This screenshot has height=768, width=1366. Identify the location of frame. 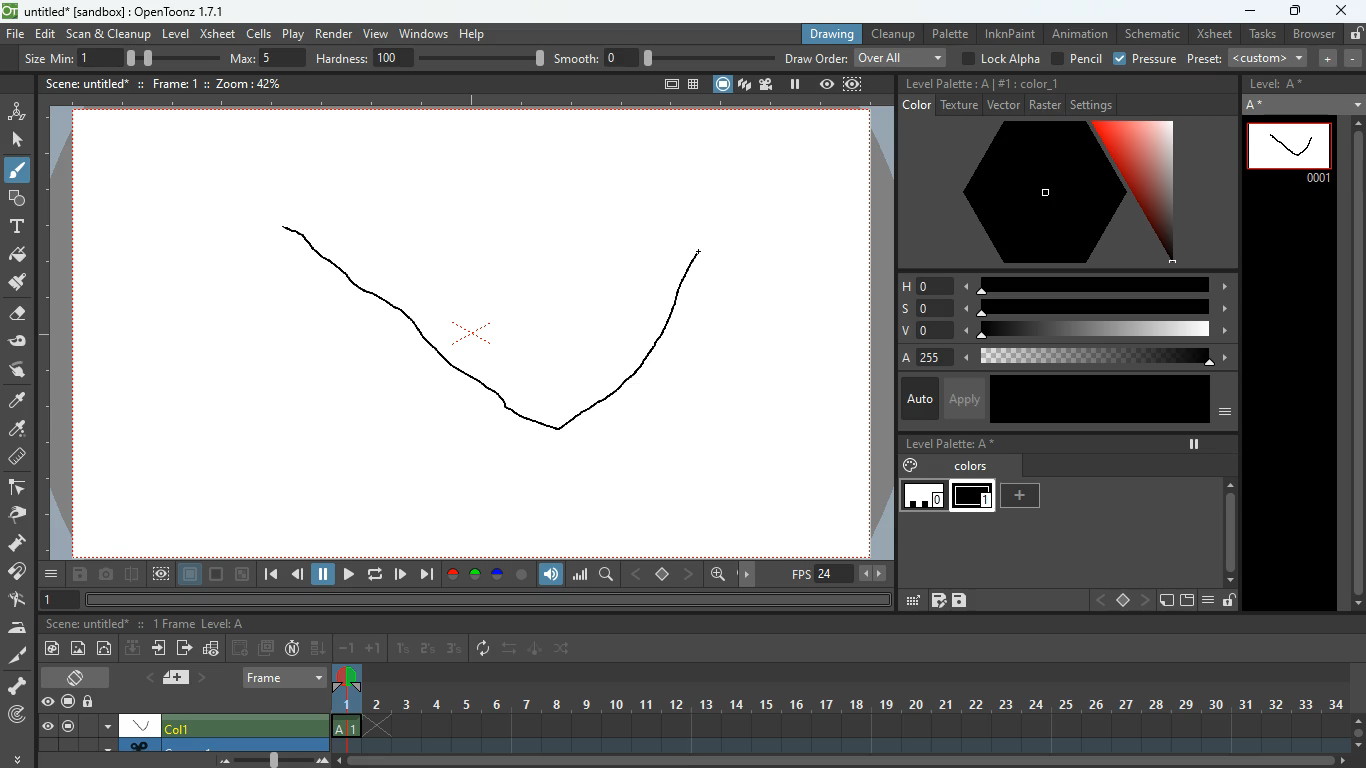
(166, 82).